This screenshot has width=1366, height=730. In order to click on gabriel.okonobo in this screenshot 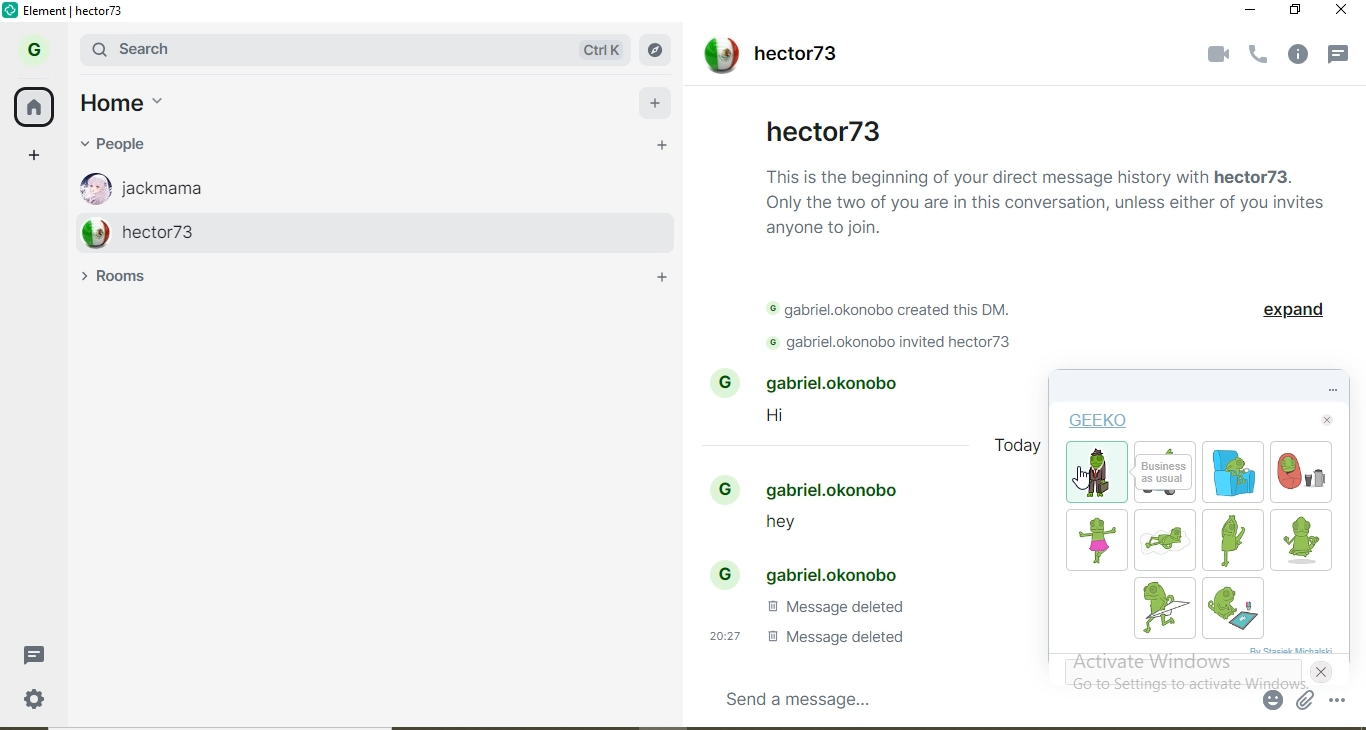, I will do `click(816, 489)`.